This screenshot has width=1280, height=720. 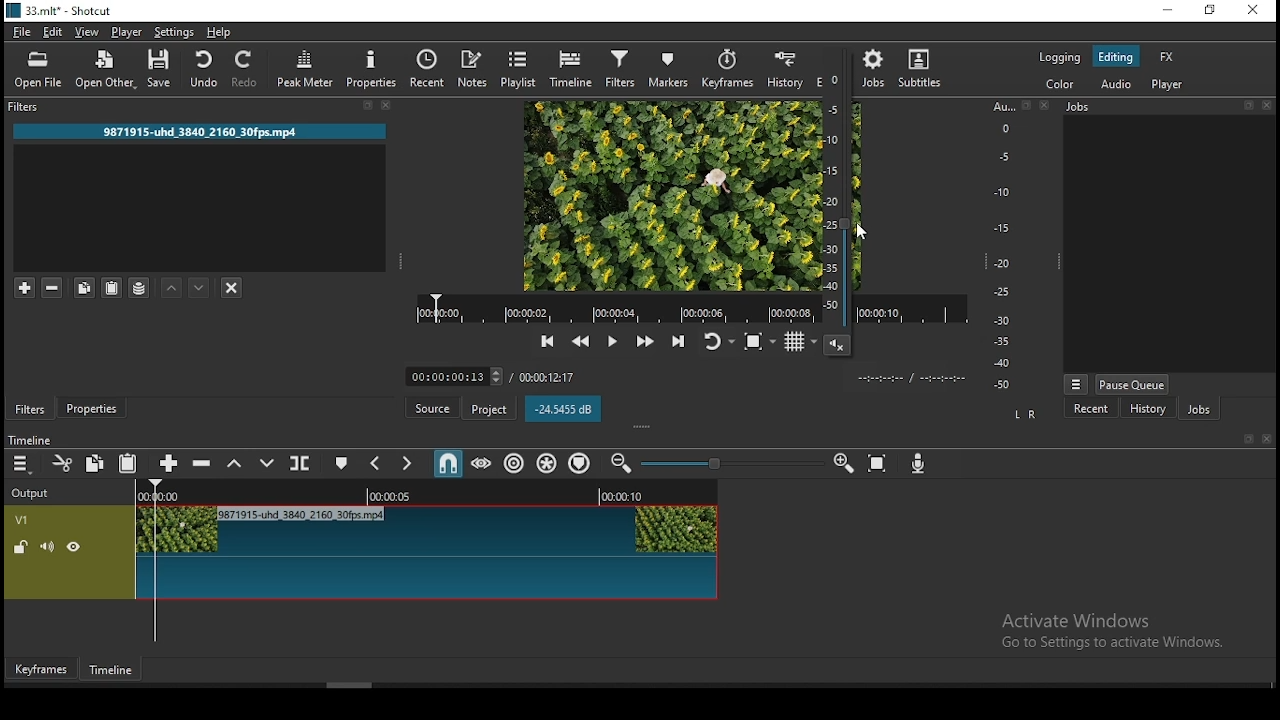 I want to click on ripple markers, so click(x=579, y=464).